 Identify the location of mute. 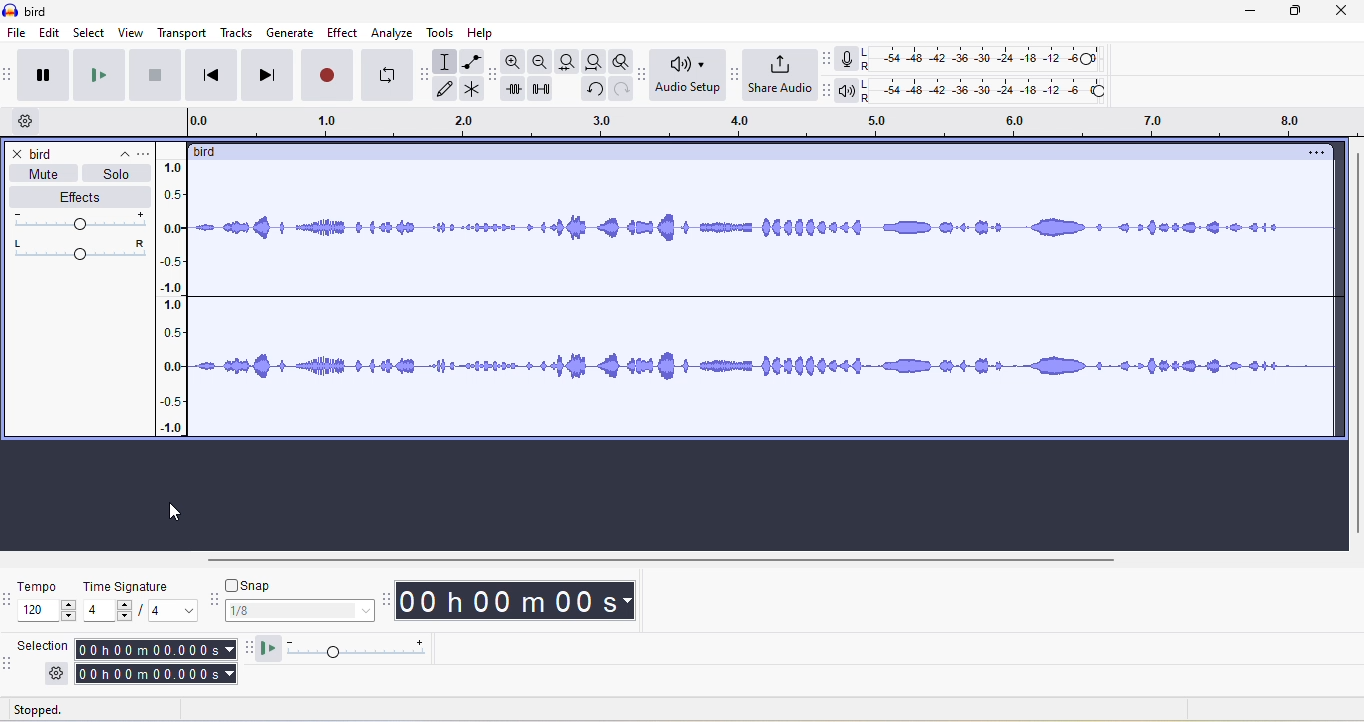
(39, 174).